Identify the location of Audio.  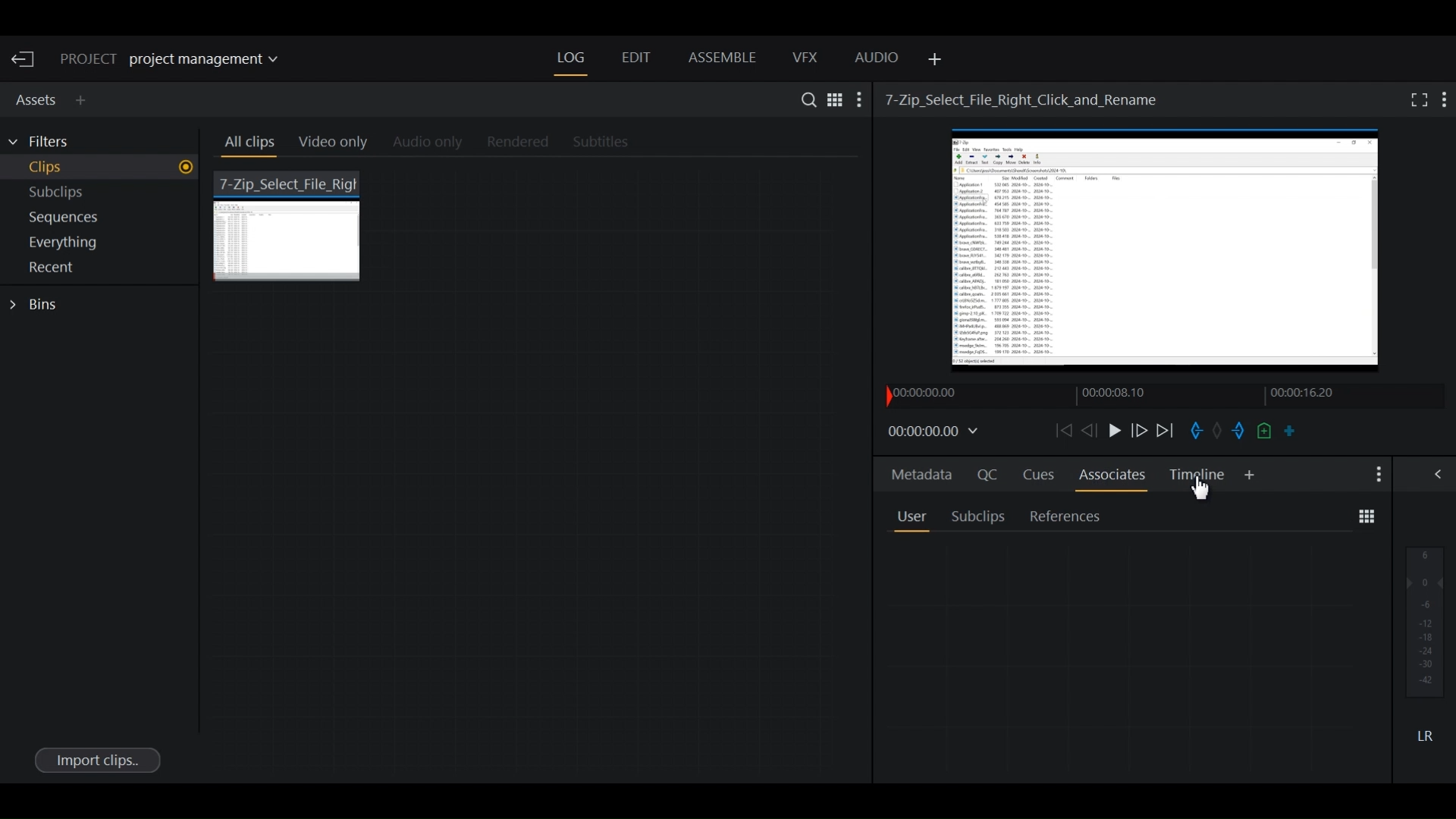
(877, 60).